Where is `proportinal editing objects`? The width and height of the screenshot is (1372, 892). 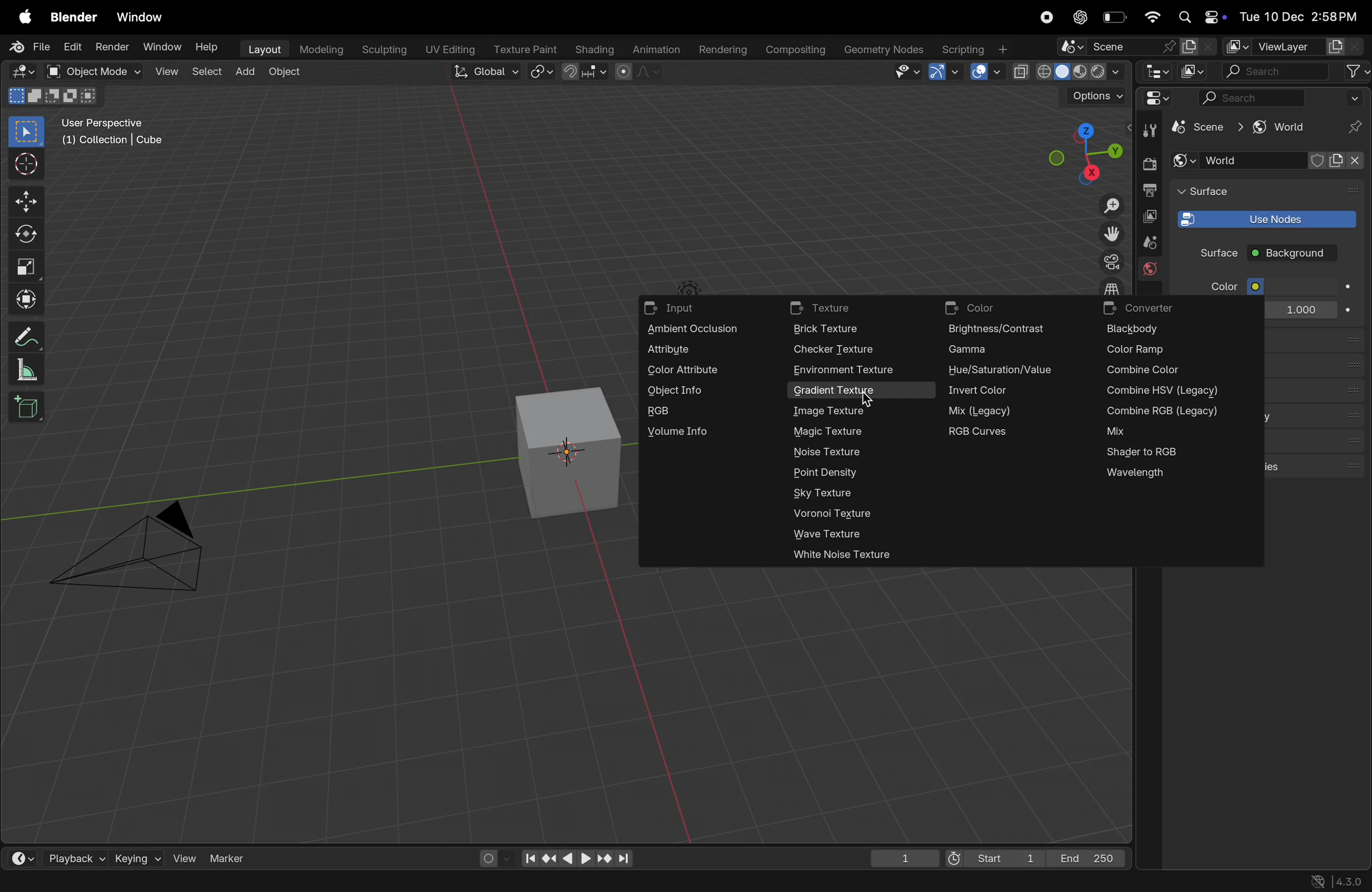 proportinal editing objects is located at coordinates (639, 74).